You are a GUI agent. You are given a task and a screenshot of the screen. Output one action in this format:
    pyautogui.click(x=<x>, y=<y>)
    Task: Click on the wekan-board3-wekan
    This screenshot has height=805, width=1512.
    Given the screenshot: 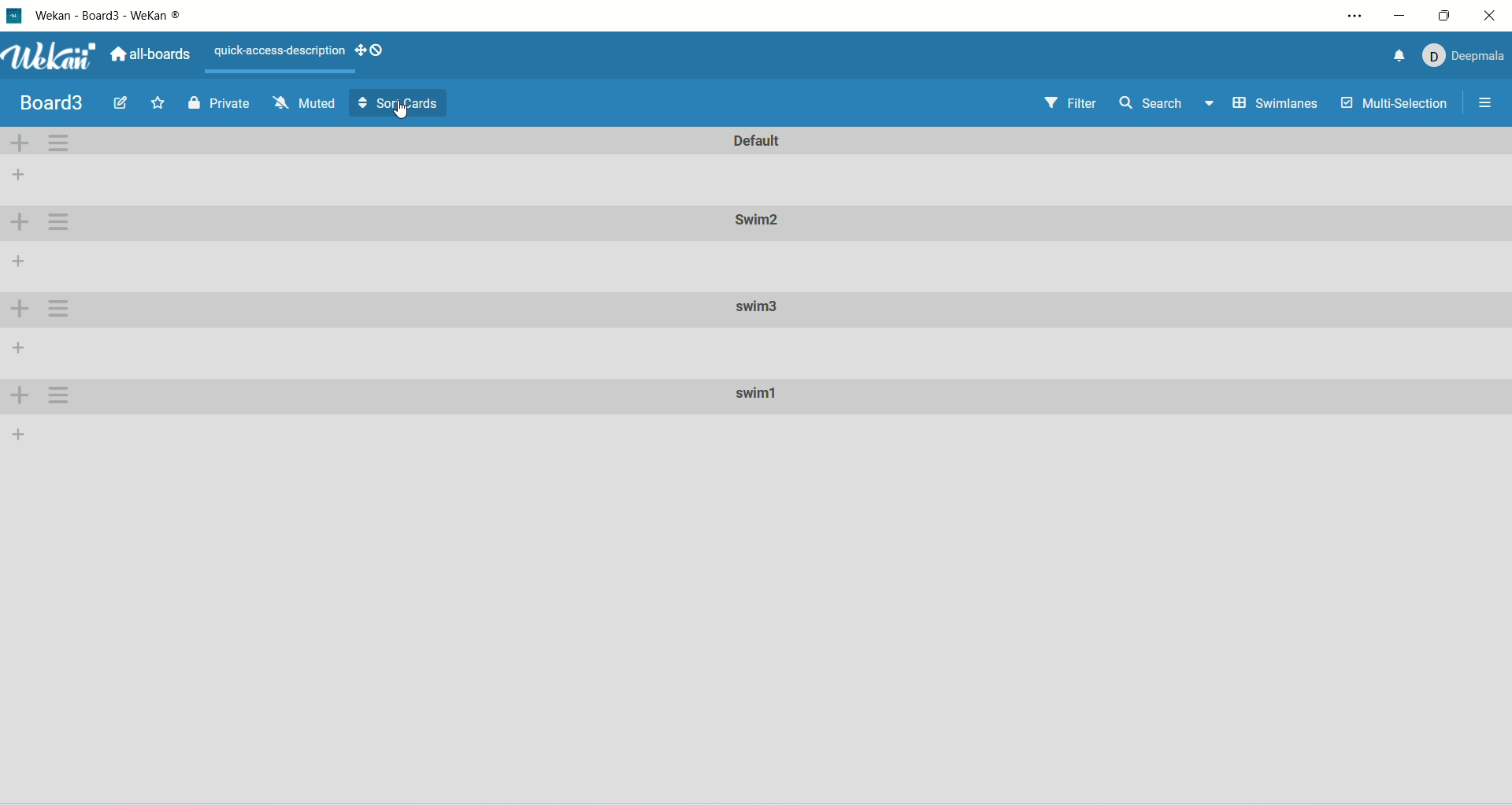 What is the action you would take?
    pyautogui.click(x=108, y=16)
    